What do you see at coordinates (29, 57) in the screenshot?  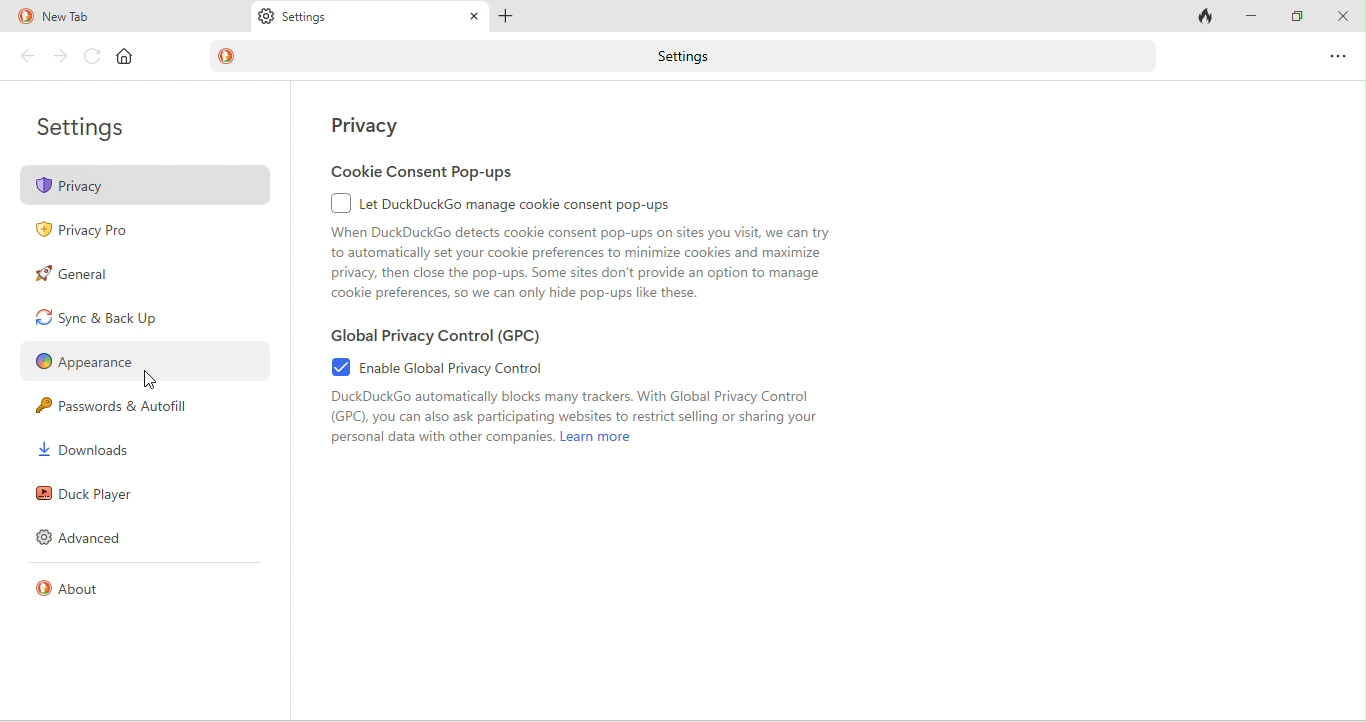 I see `back` at bounding box center [29, 57].